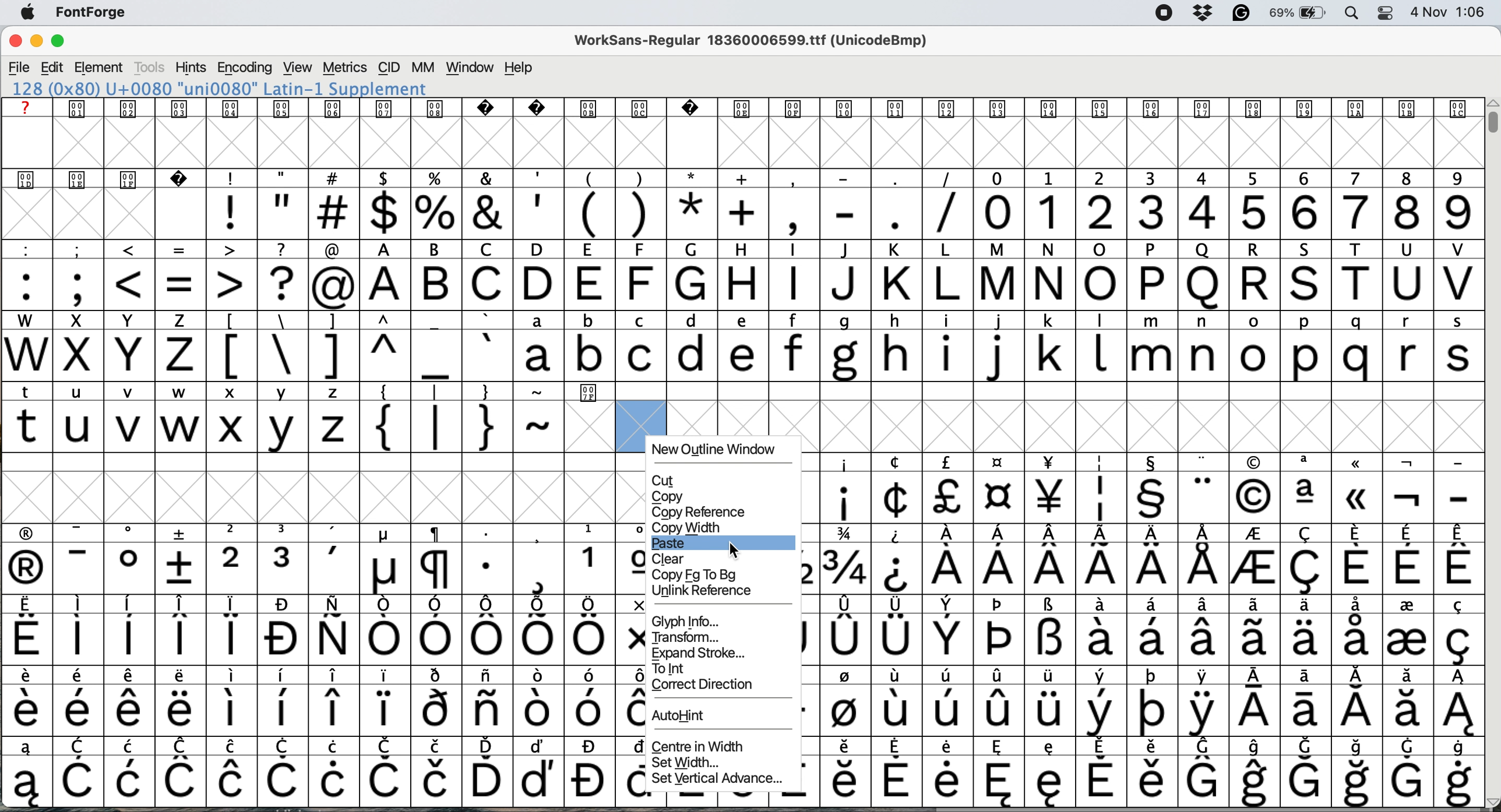 The image size is (1501, 812). I want to click on transform, so click(685, 637).